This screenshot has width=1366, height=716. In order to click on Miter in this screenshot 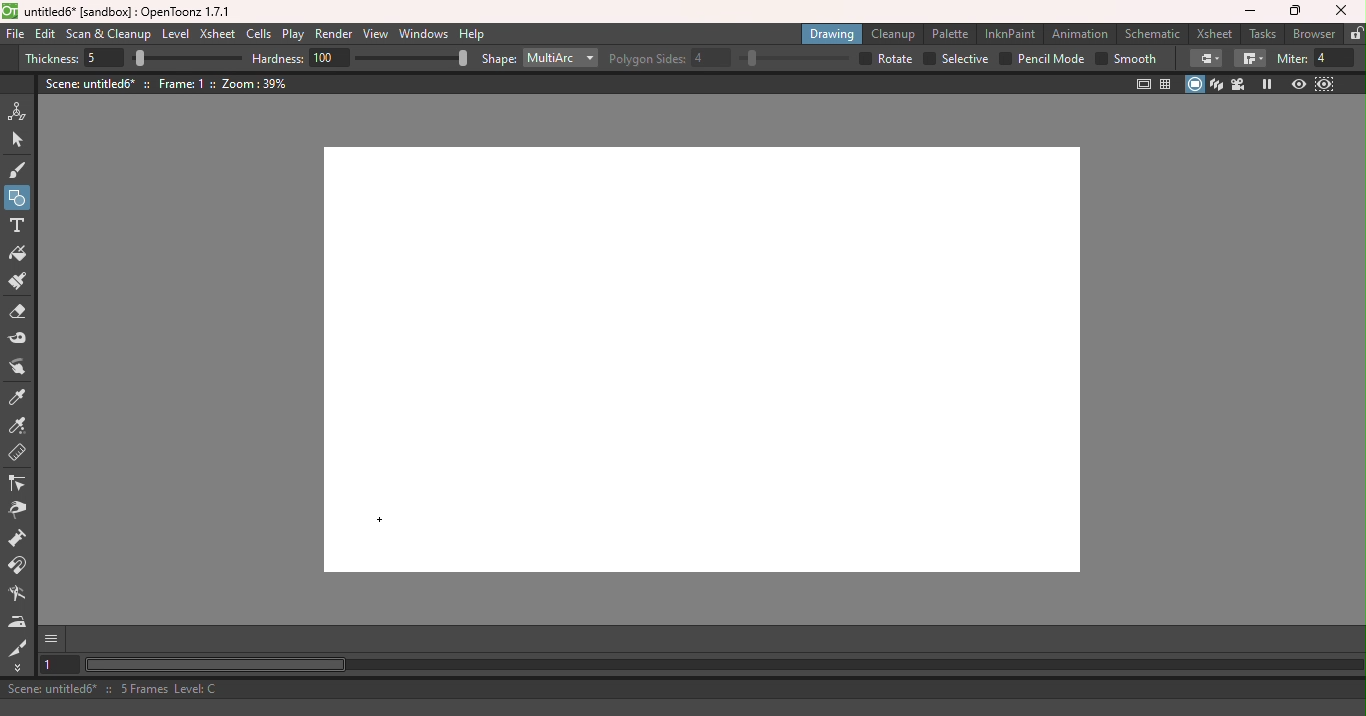, I will do `click(1316, 59)`.